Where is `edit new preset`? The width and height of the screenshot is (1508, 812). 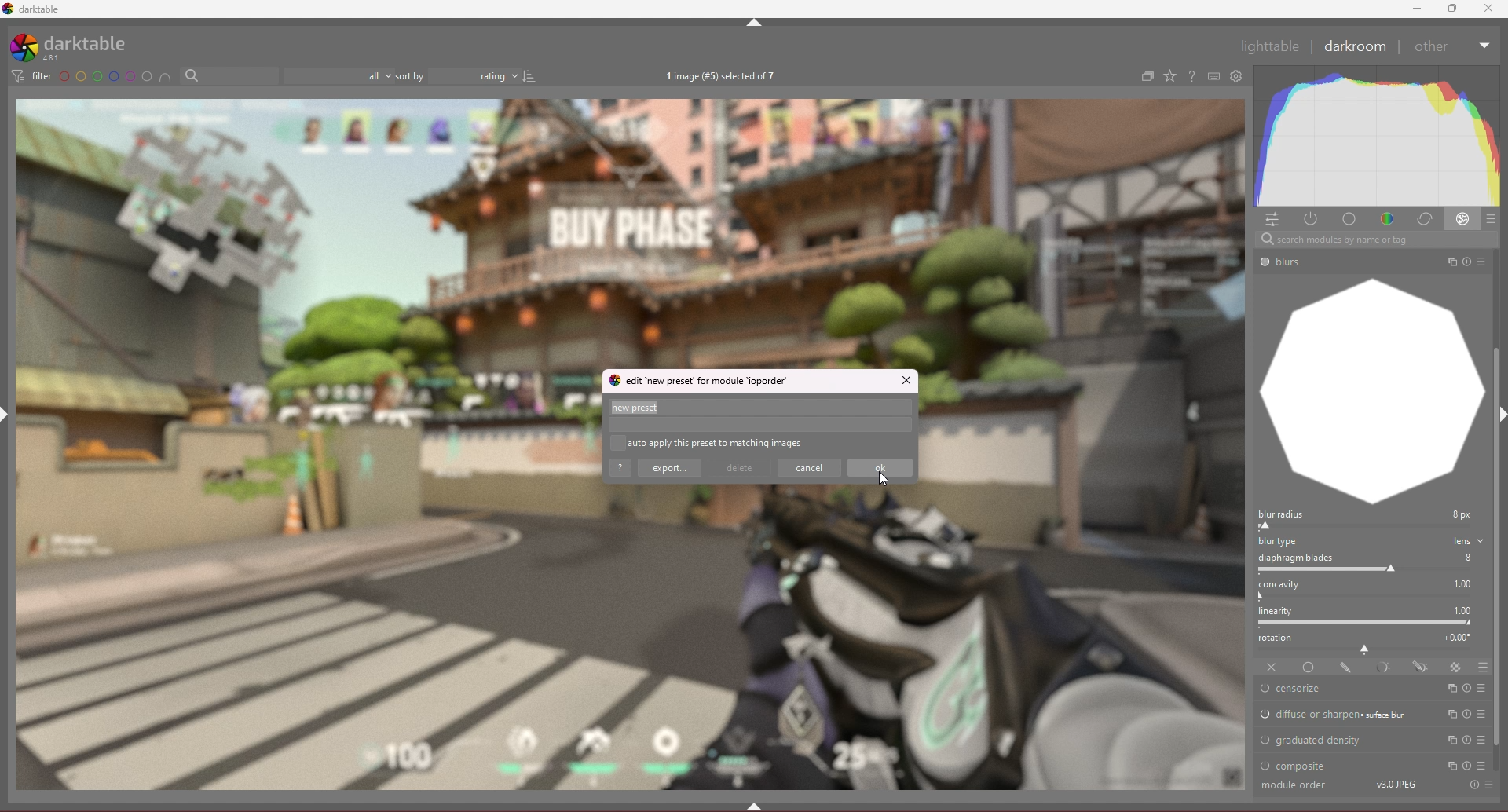 edit new preset is located at coordinates (704, 381).